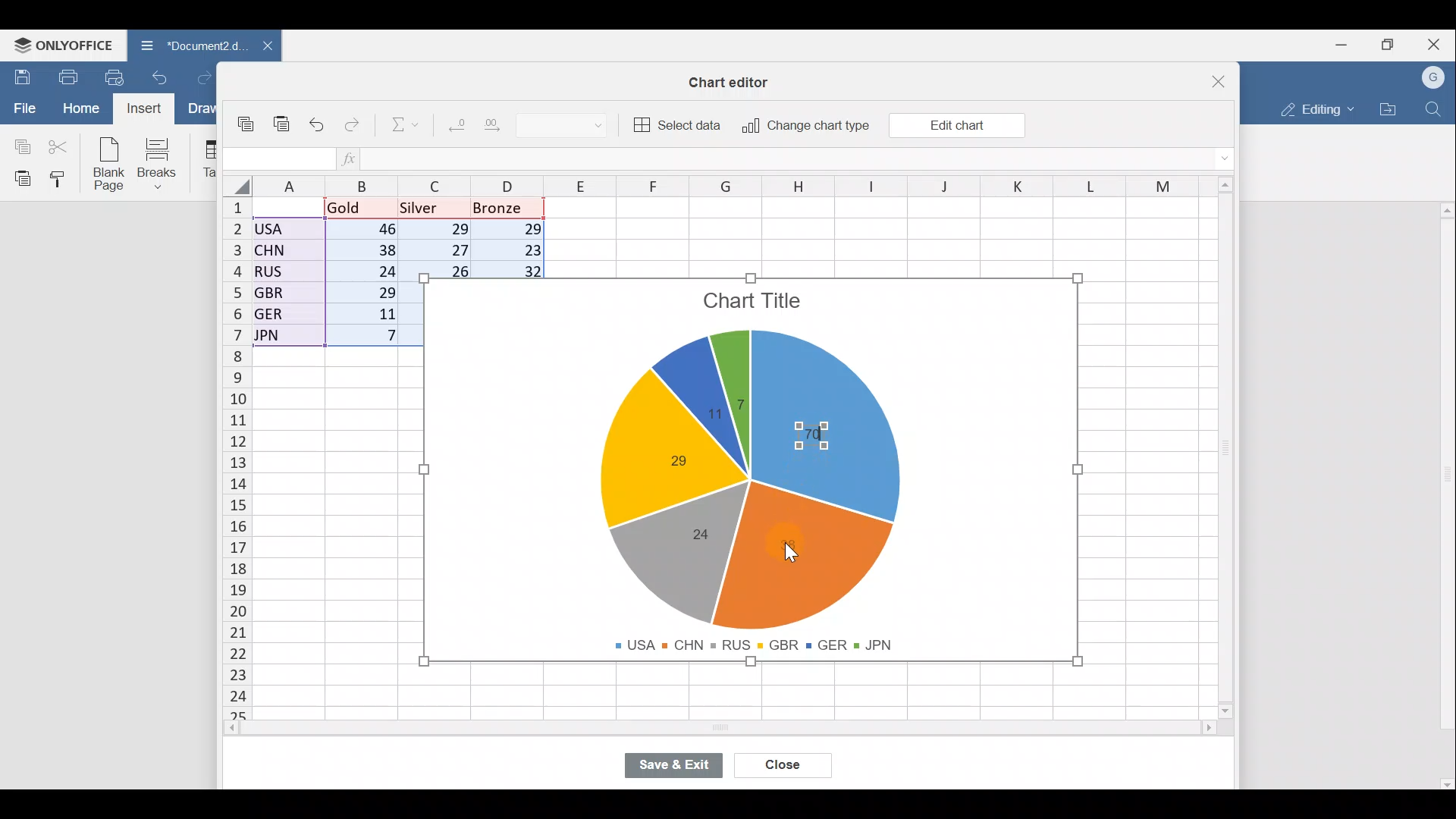 The image size is (1456, 819). I want to click on Insert function, so click(359, 158).